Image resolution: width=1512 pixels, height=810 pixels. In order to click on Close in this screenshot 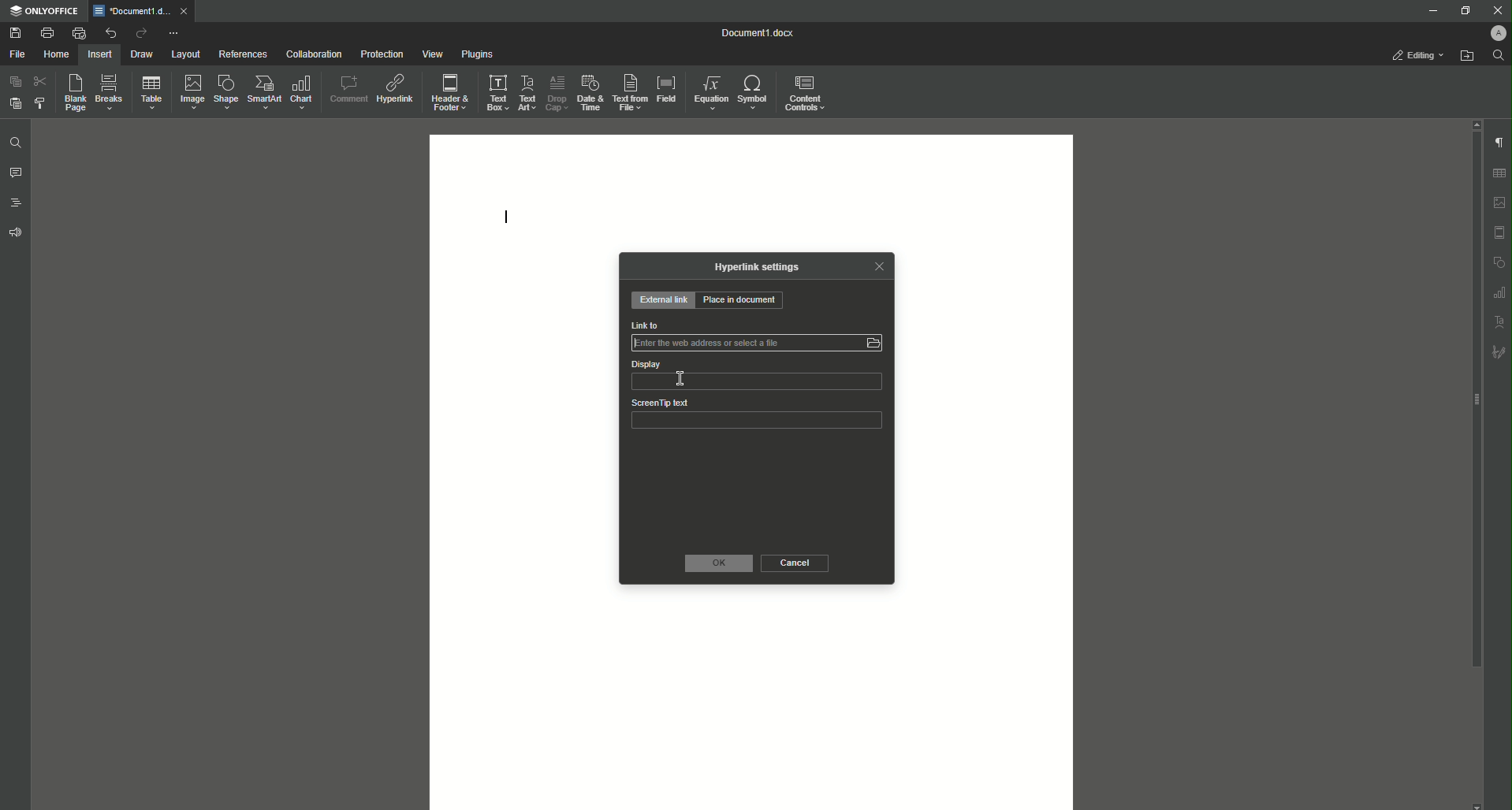, I will do `click(883, 267)`.